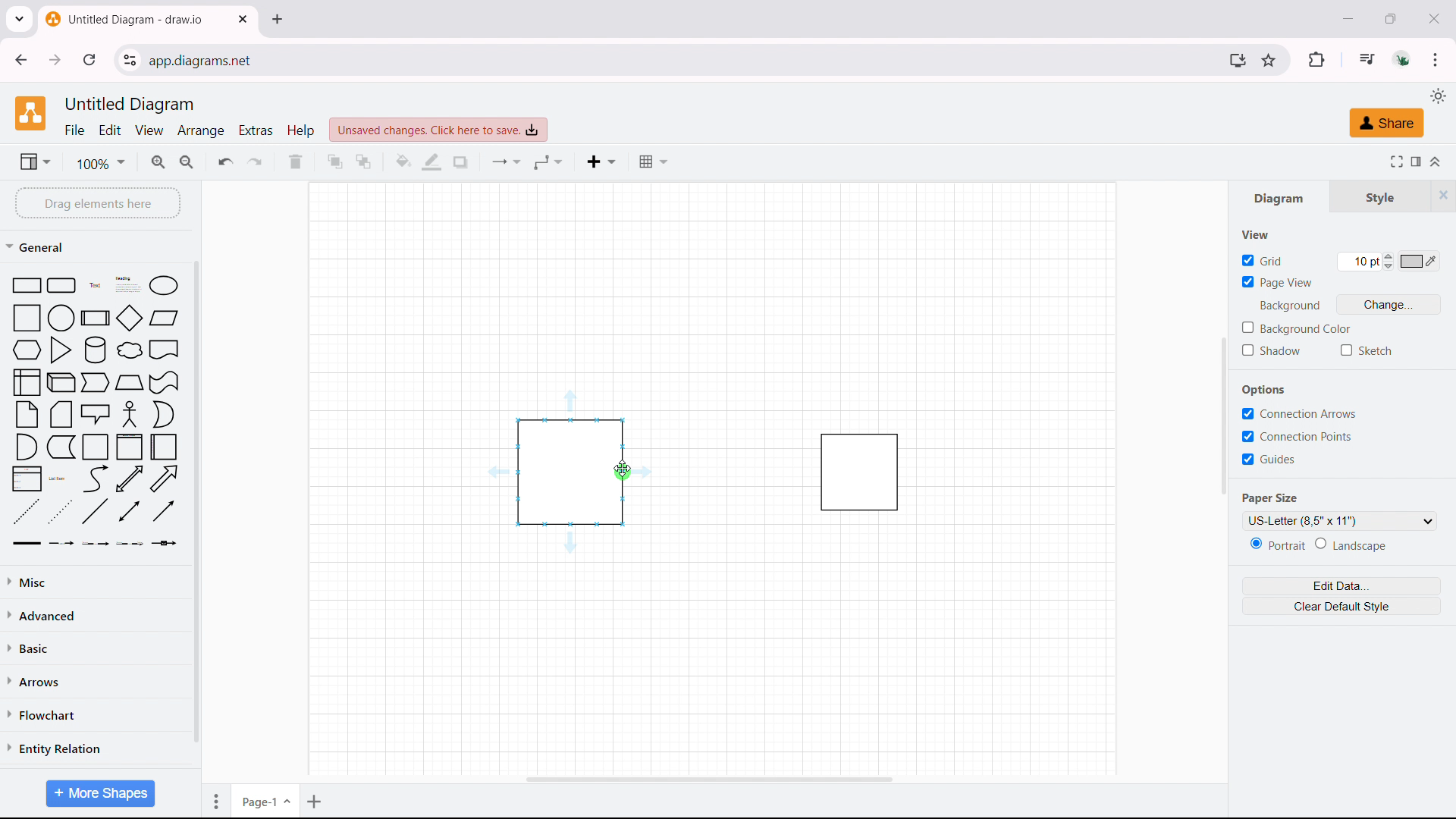 The image size is (1456, 819). I want to click on zoom out, so click(188, 160).